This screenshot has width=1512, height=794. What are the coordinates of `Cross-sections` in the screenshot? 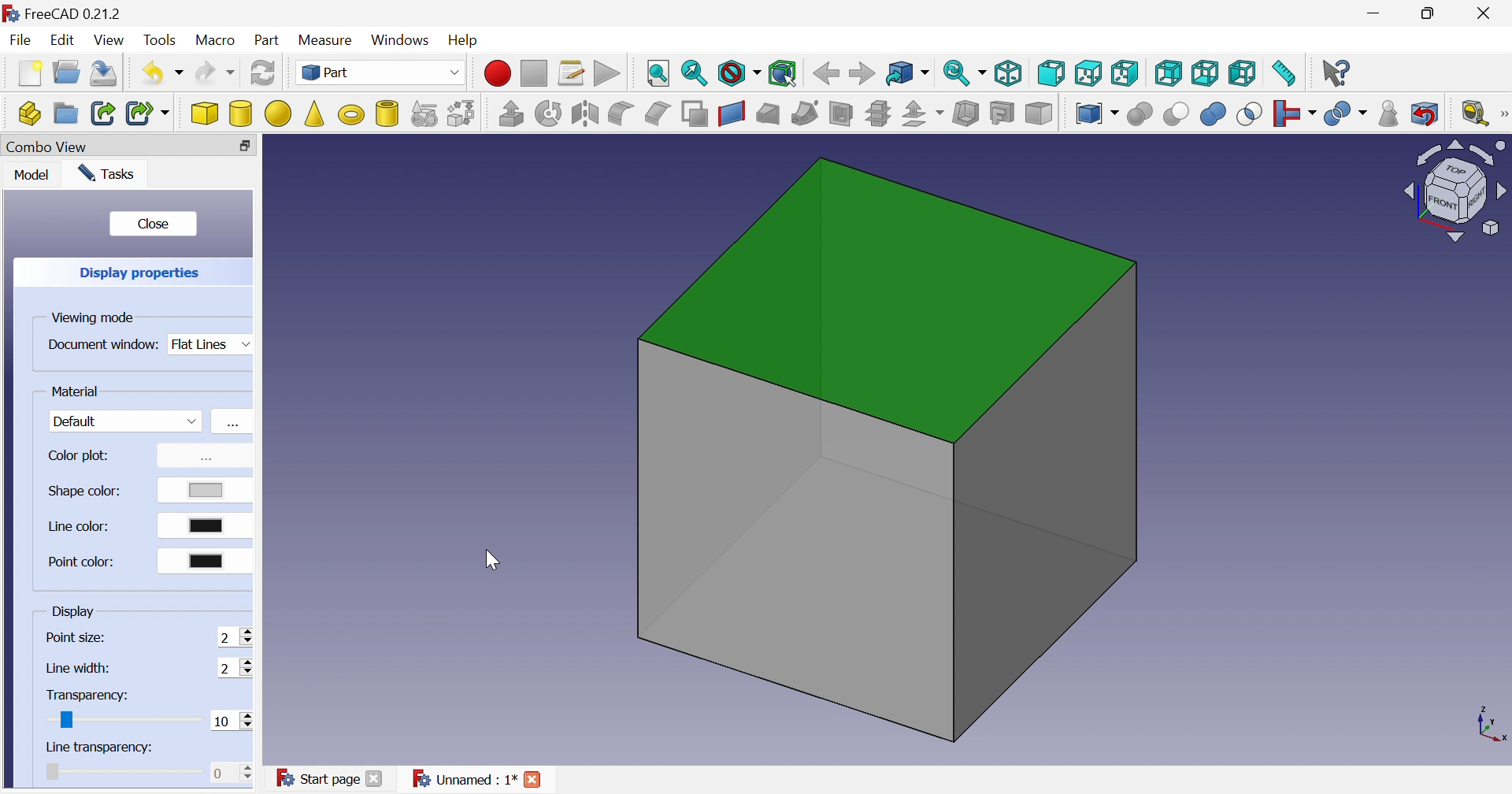 It's located at (879, 113).